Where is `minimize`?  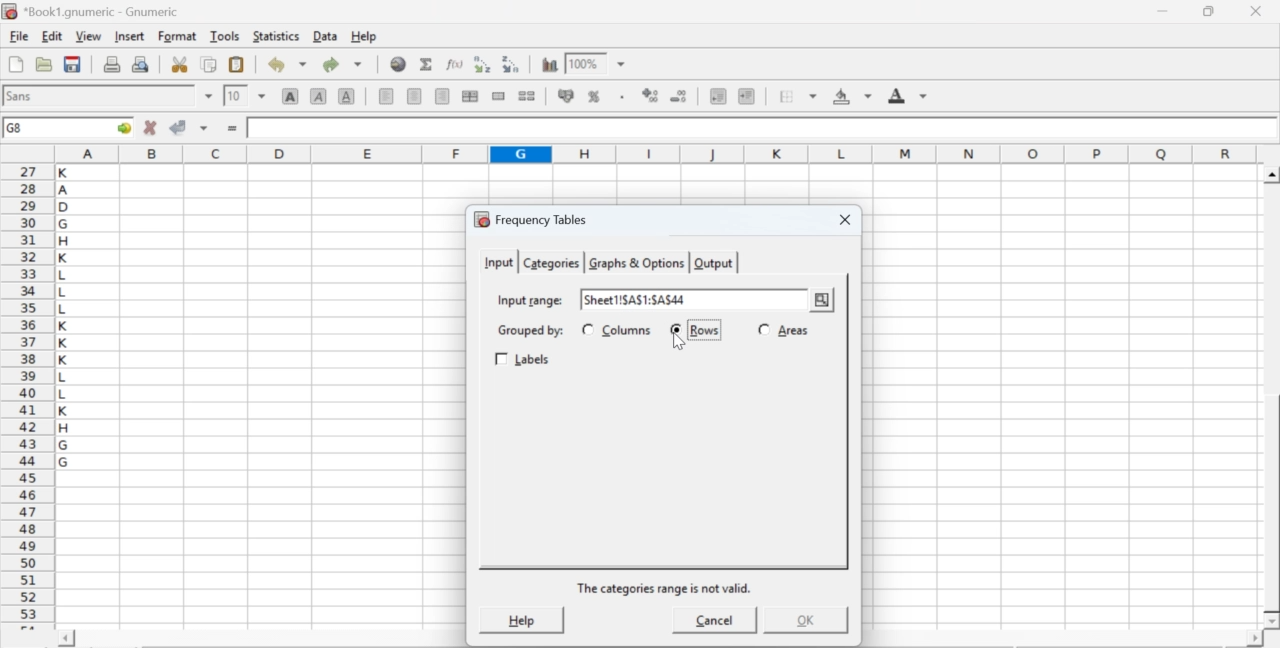 minimize is located at coordinates (1164, 11).